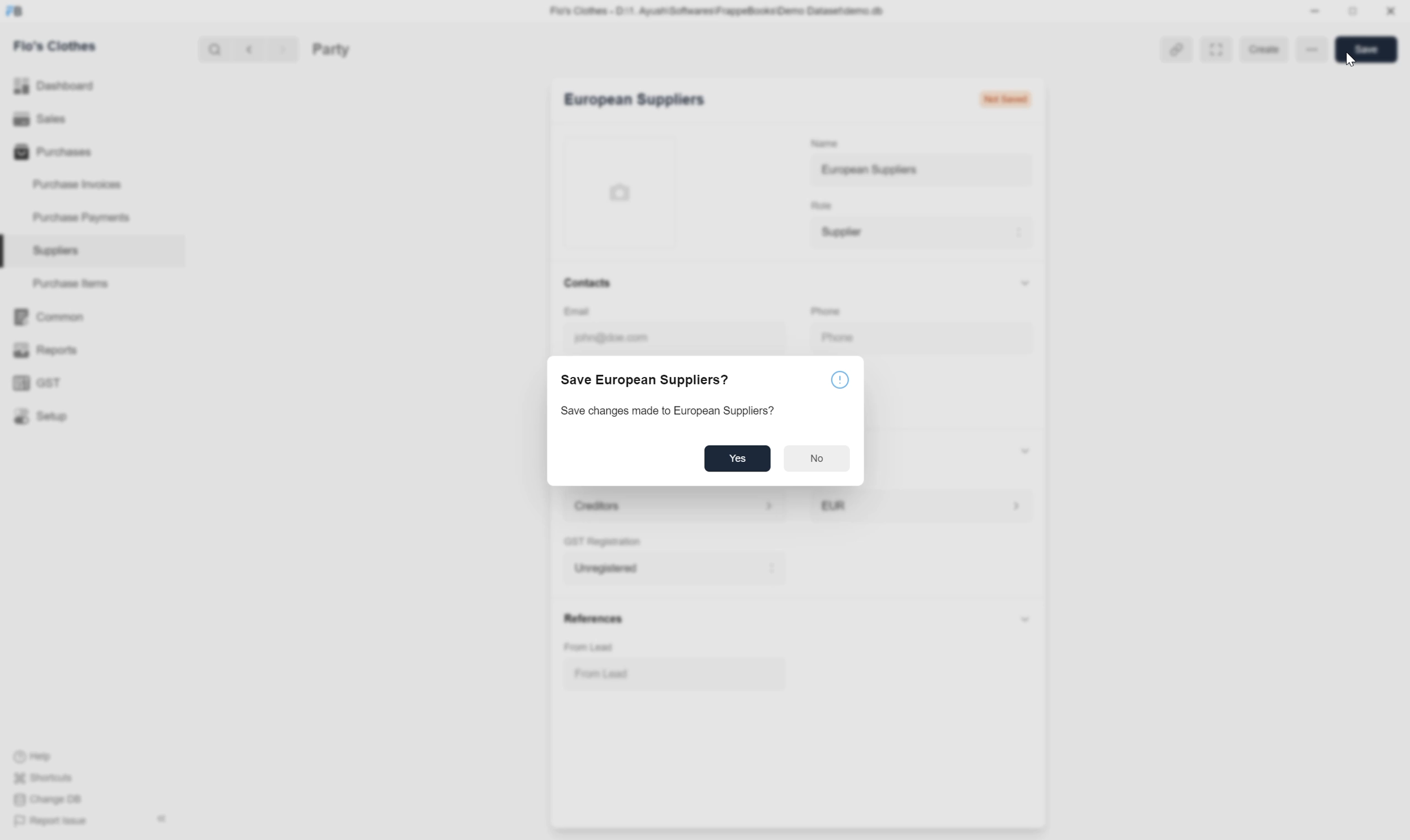  Describe the element at coordinates (606, 336) in the screenshot. I see `john@doe.com` at that location.